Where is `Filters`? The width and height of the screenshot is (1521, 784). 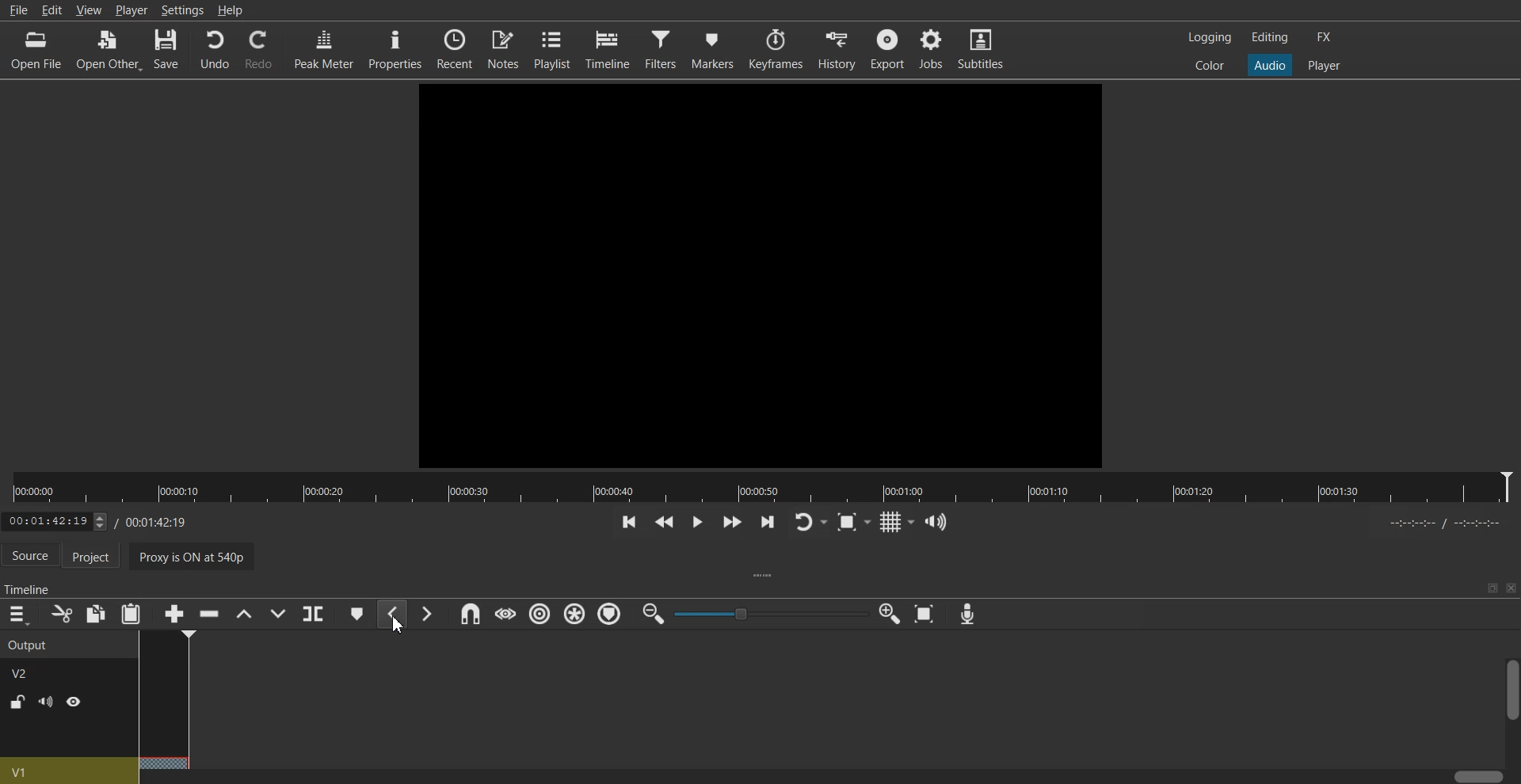 Filters is located at coordinates (663, 48).